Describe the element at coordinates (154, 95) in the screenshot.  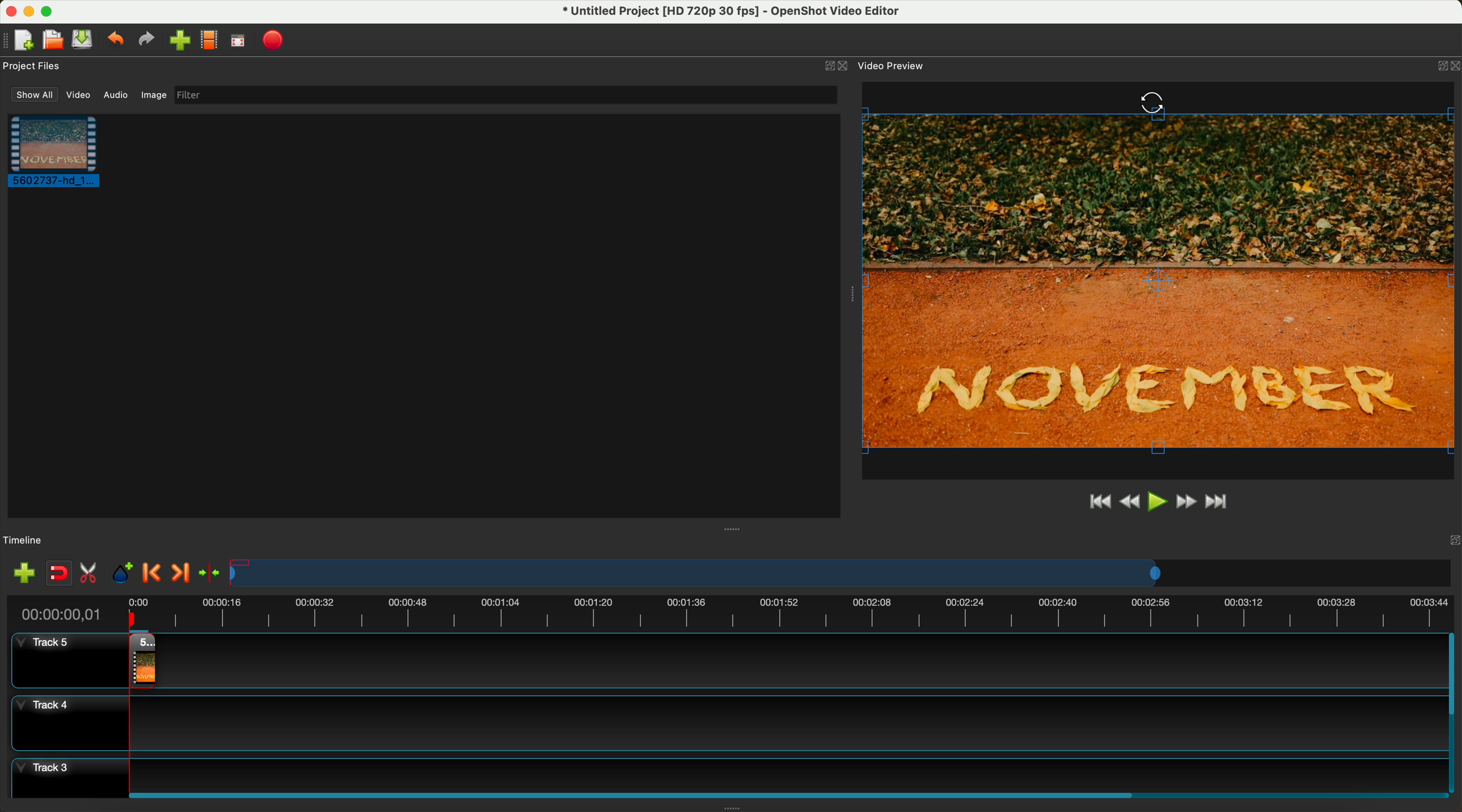
I see `image` at that location.